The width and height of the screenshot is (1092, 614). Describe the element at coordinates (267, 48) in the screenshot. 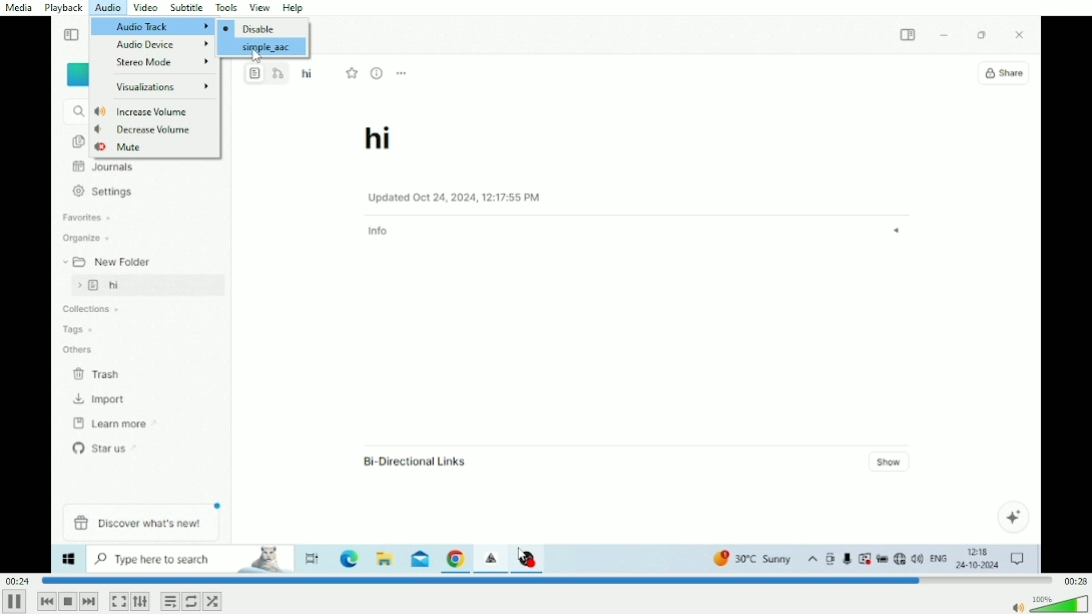

I see `simple_aac` at that location.